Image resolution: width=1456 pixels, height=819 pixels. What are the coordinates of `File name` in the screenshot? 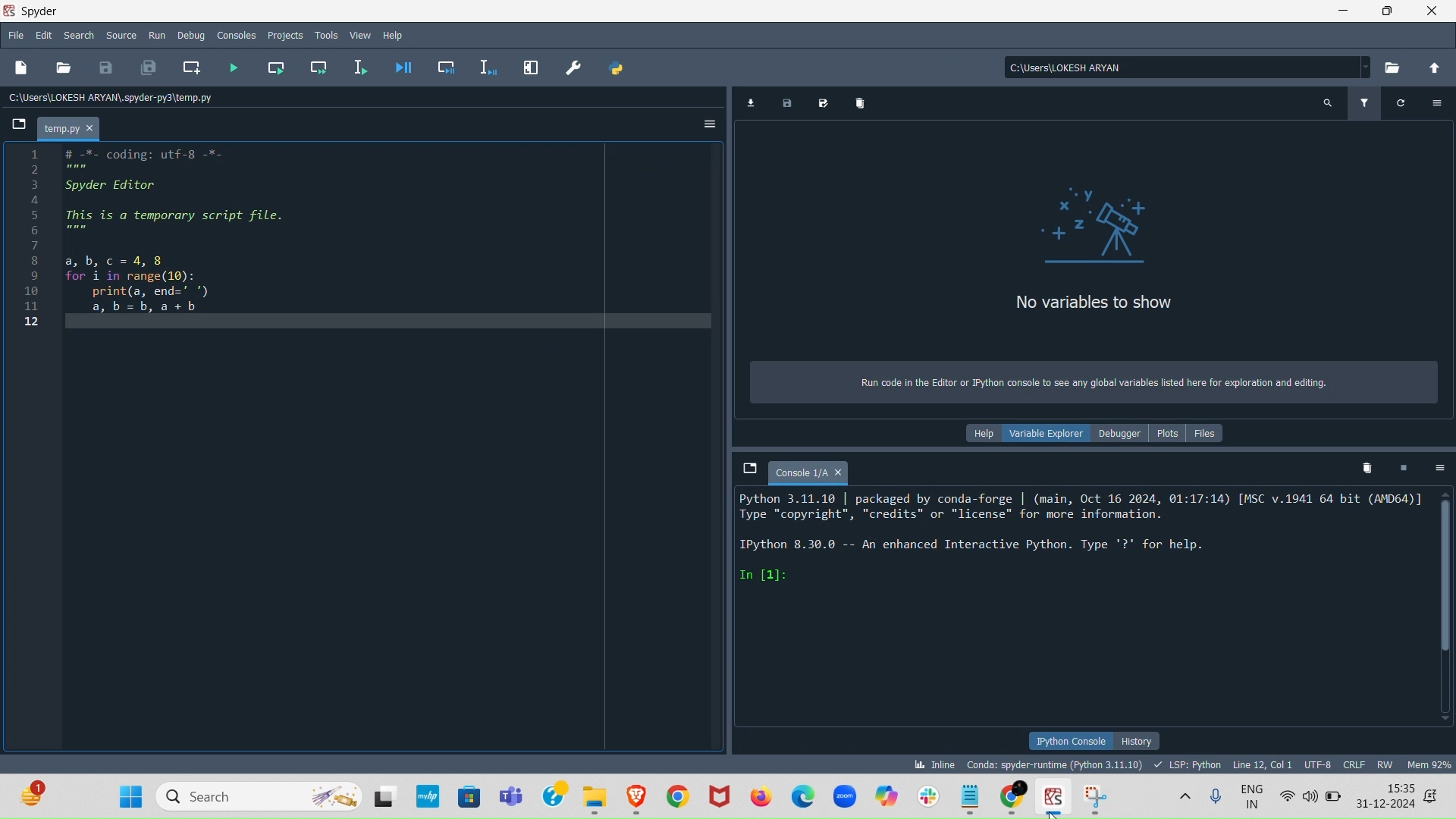 It's located at (72, 127).